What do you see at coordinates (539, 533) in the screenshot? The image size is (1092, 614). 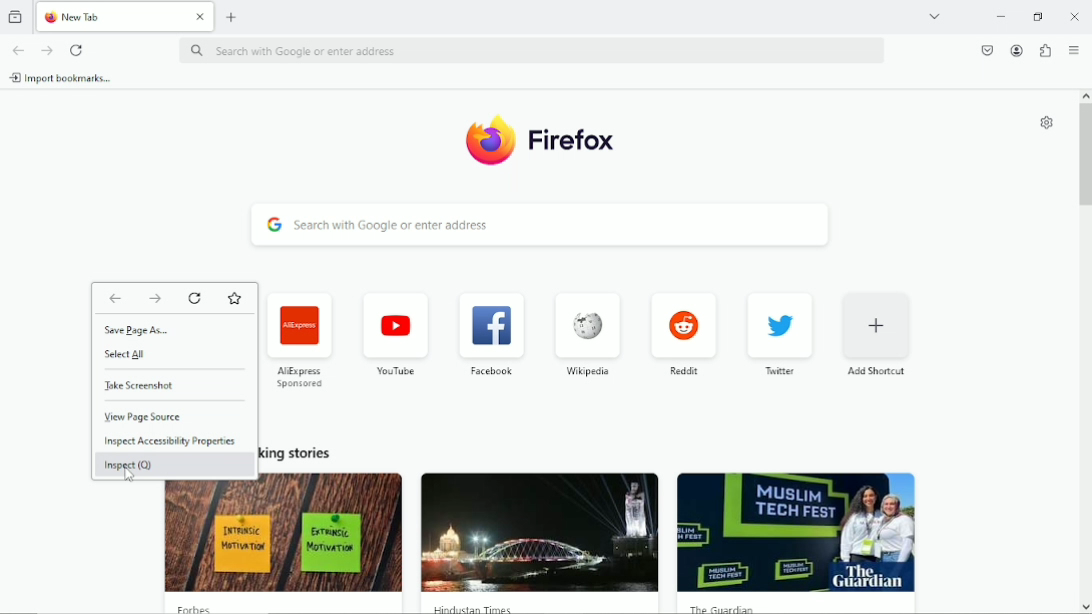 I see `image` at bounding box center [539, 533].